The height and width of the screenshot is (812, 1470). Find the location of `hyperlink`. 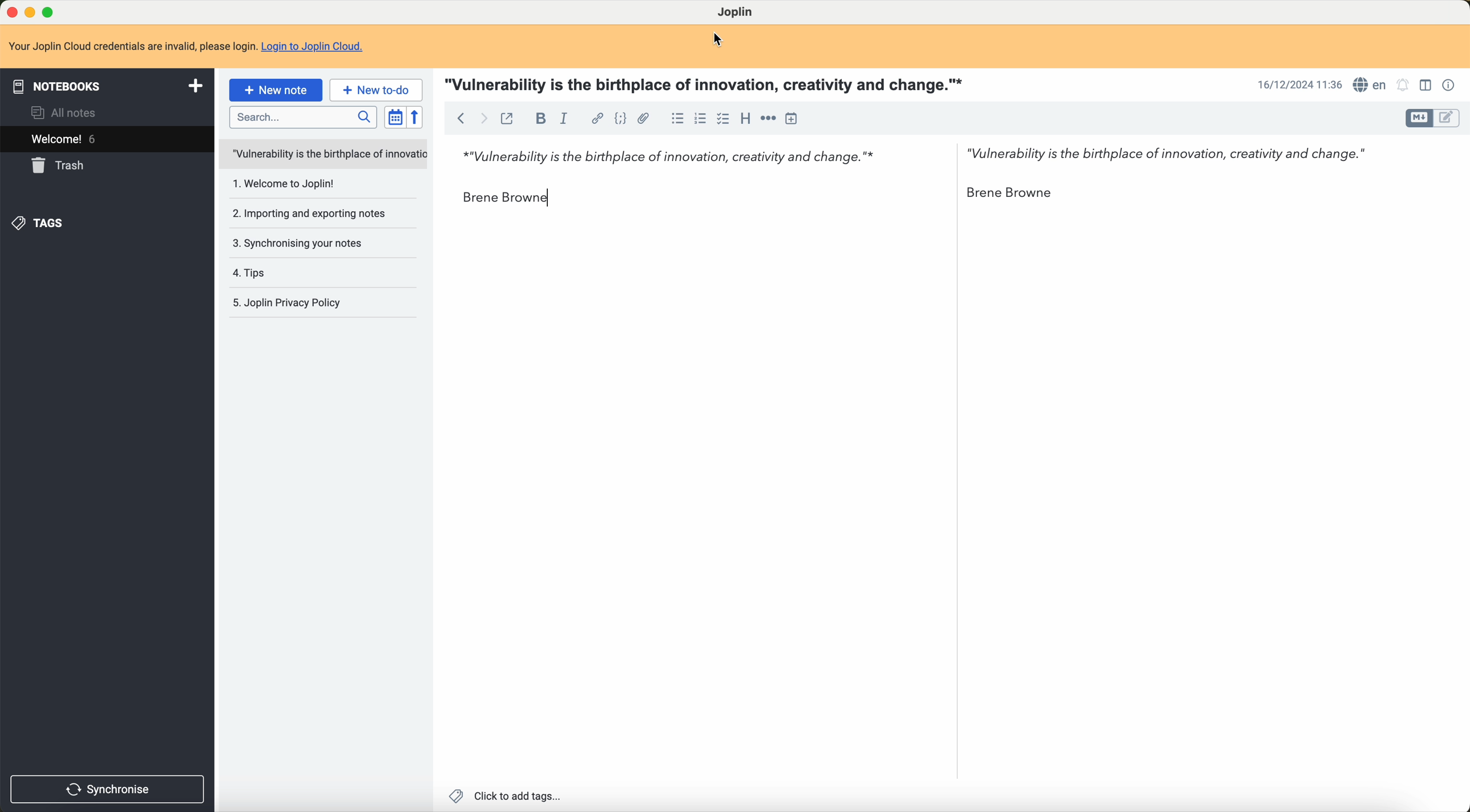

hyperlink is located at coordinates (595, 117).